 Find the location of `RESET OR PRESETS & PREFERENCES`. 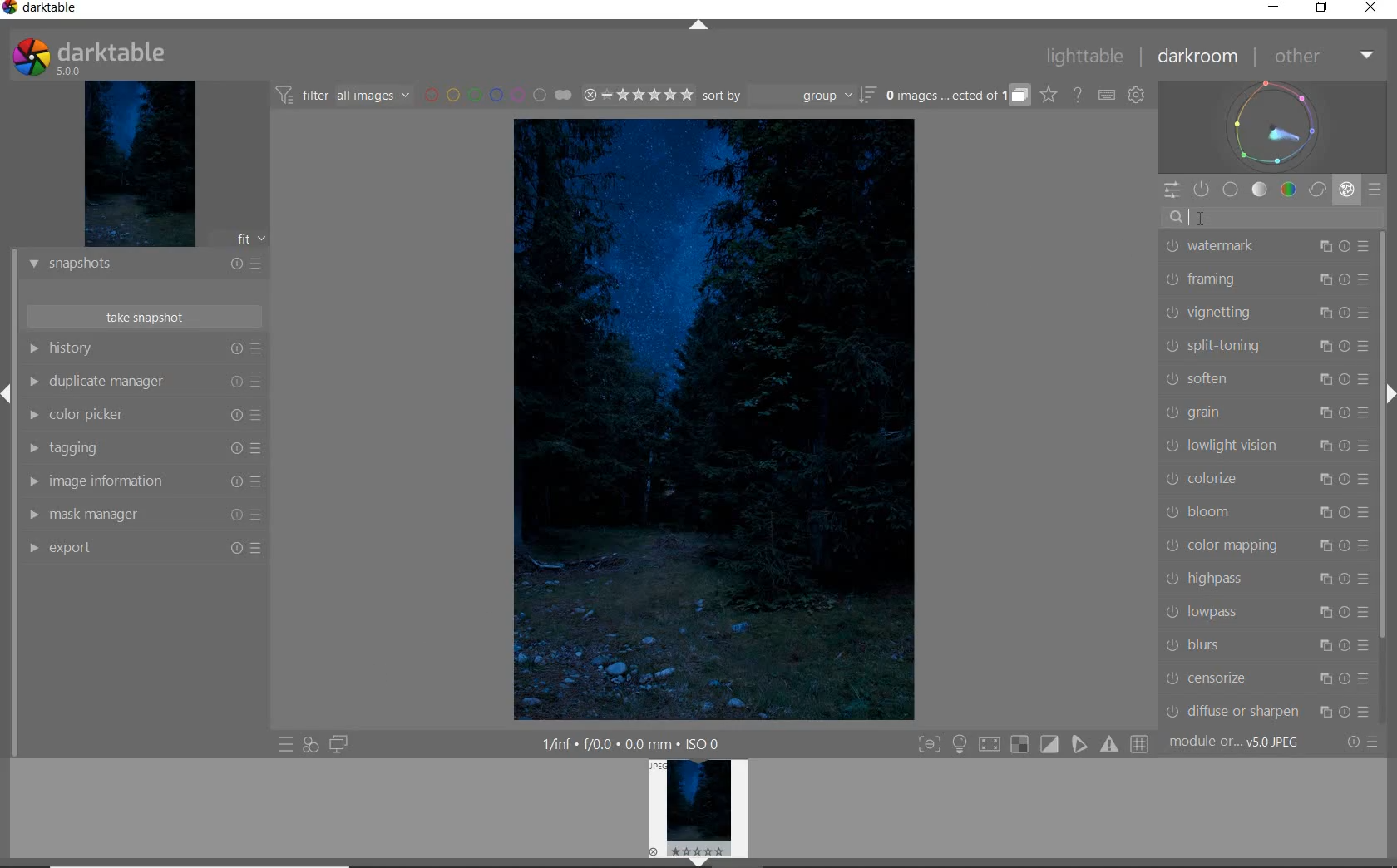

RESET OR PRESETS & PREFERENCES is located at coordinates (1364, 742).